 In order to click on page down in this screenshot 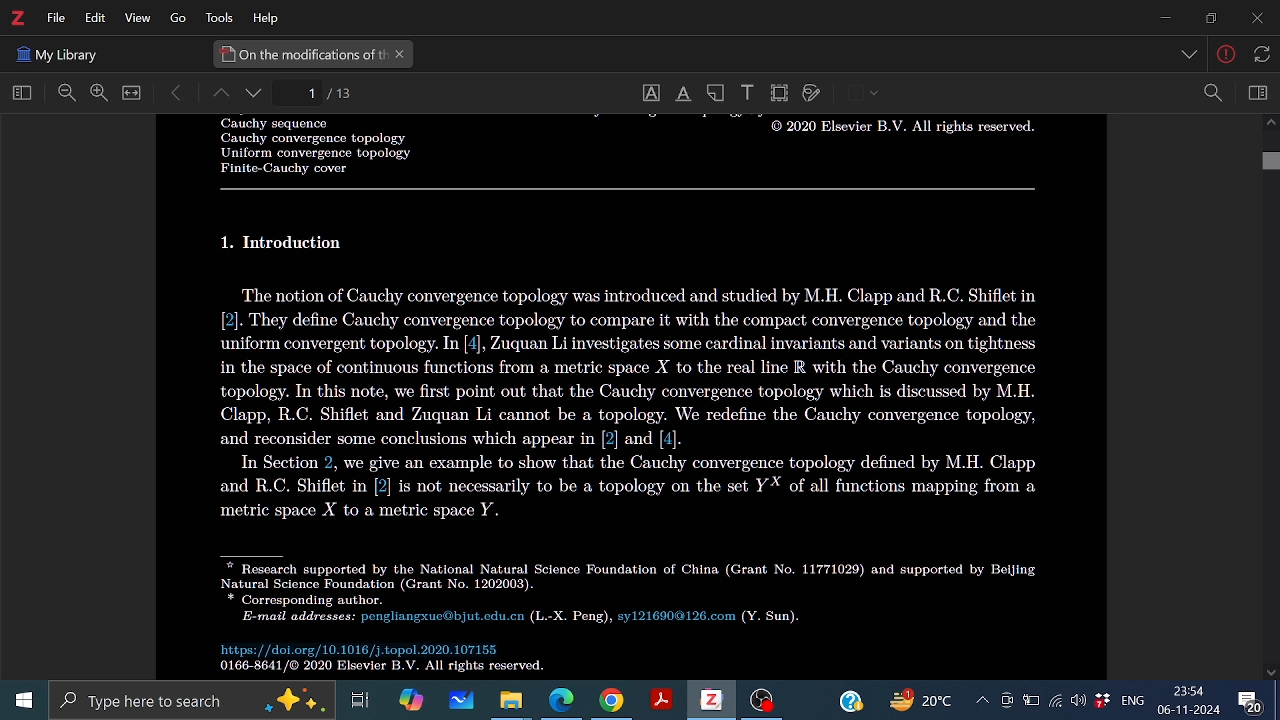, I will do `click(256, 95)`.